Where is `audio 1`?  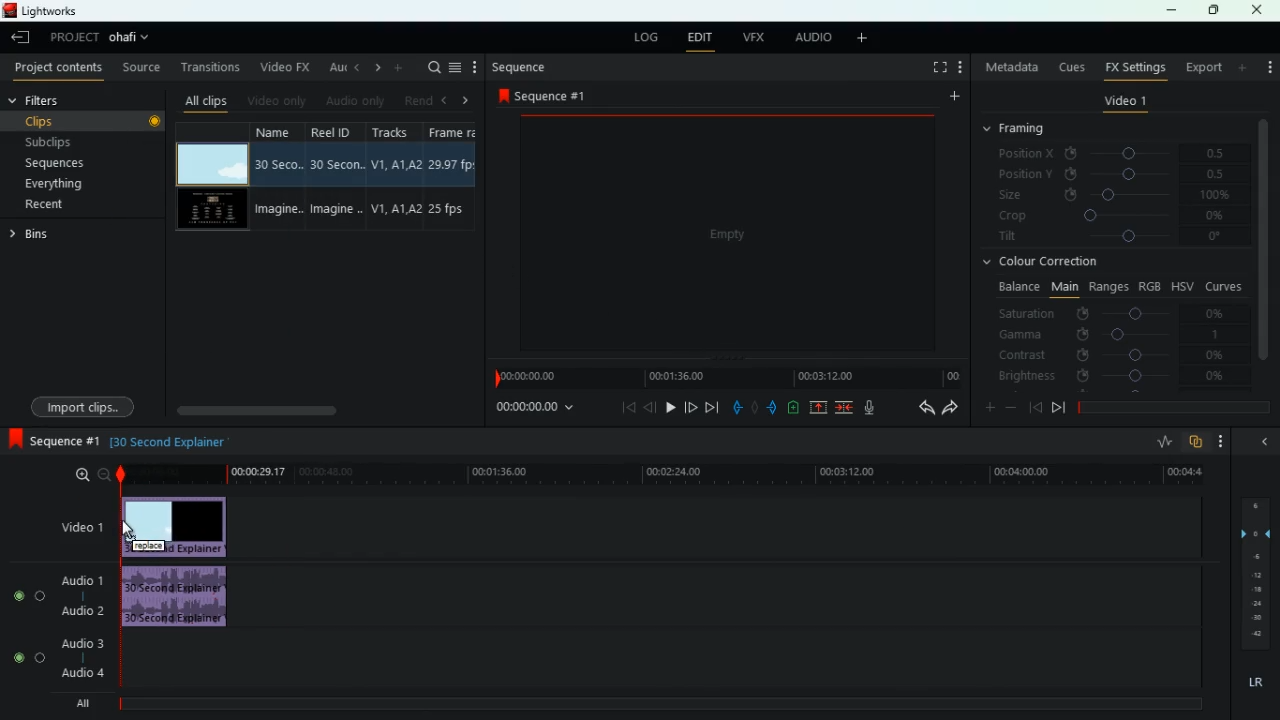
audio 1 is located at coordinates (85, 580).